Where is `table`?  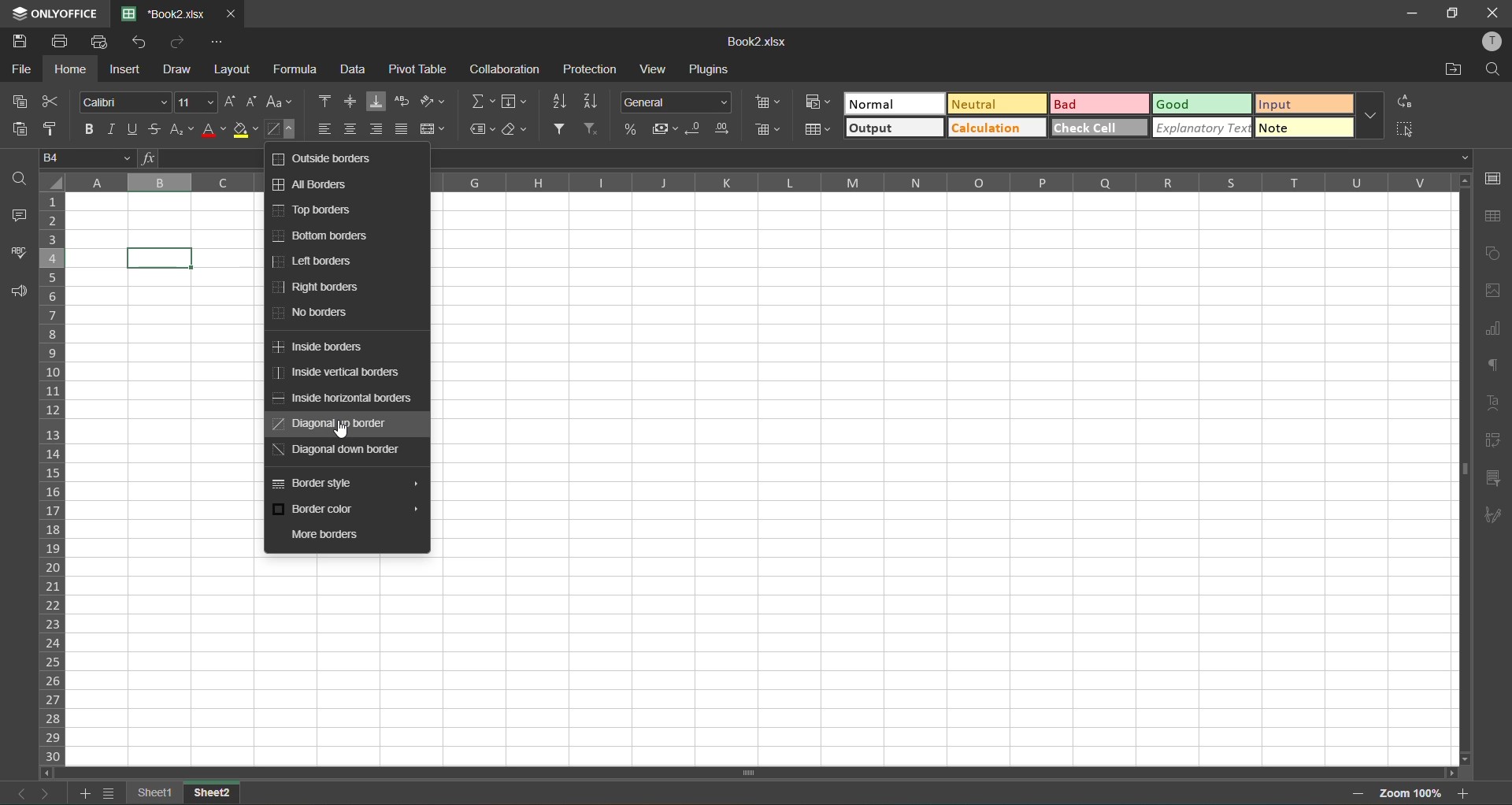 table is located at coordinates (1492, 217).